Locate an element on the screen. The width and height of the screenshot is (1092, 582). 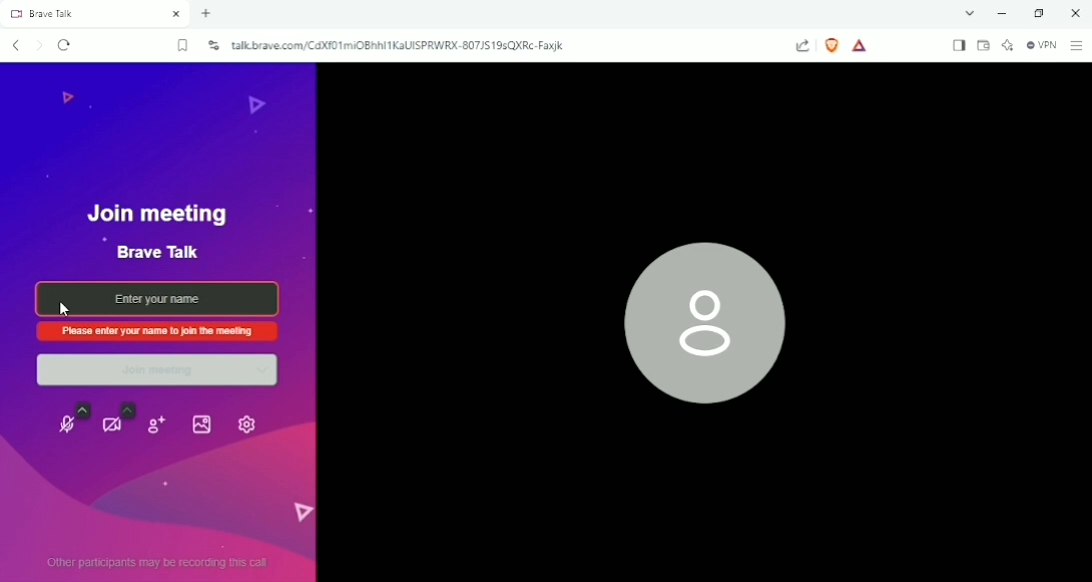
Profile is located at coordinates (714, 323).